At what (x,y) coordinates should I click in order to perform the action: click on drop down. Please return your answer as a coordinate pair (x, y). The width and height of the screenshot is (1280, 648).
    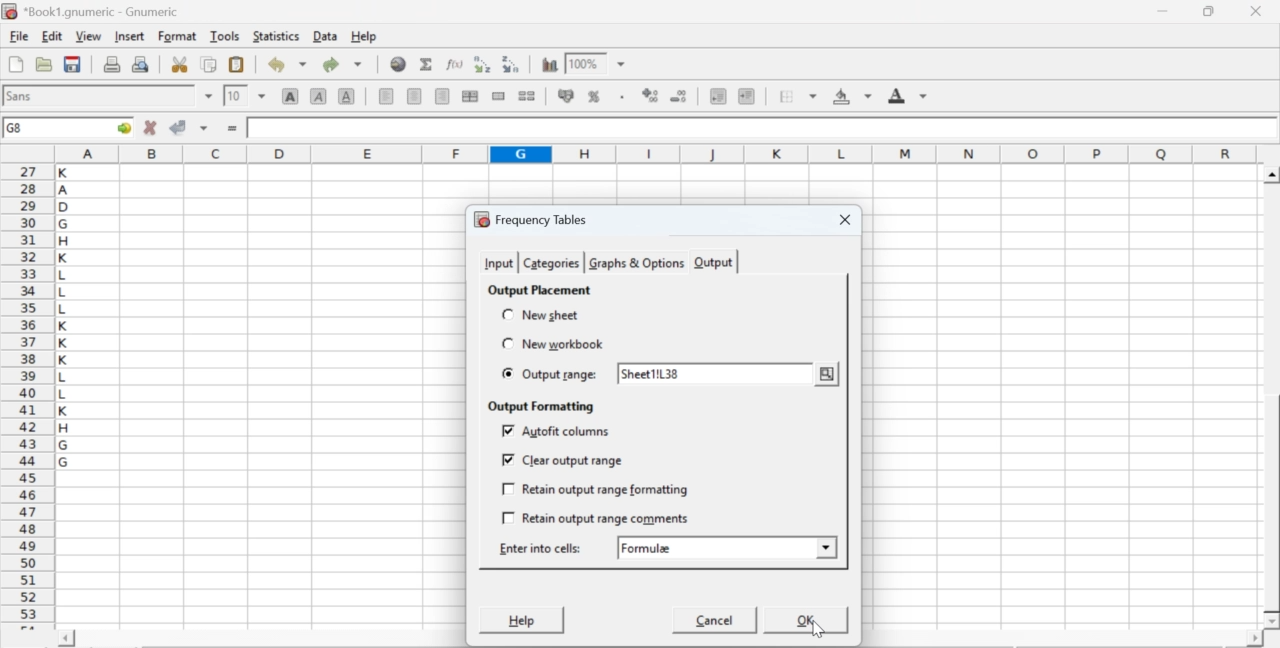
    Looking at the image, I should click on (210, 96).